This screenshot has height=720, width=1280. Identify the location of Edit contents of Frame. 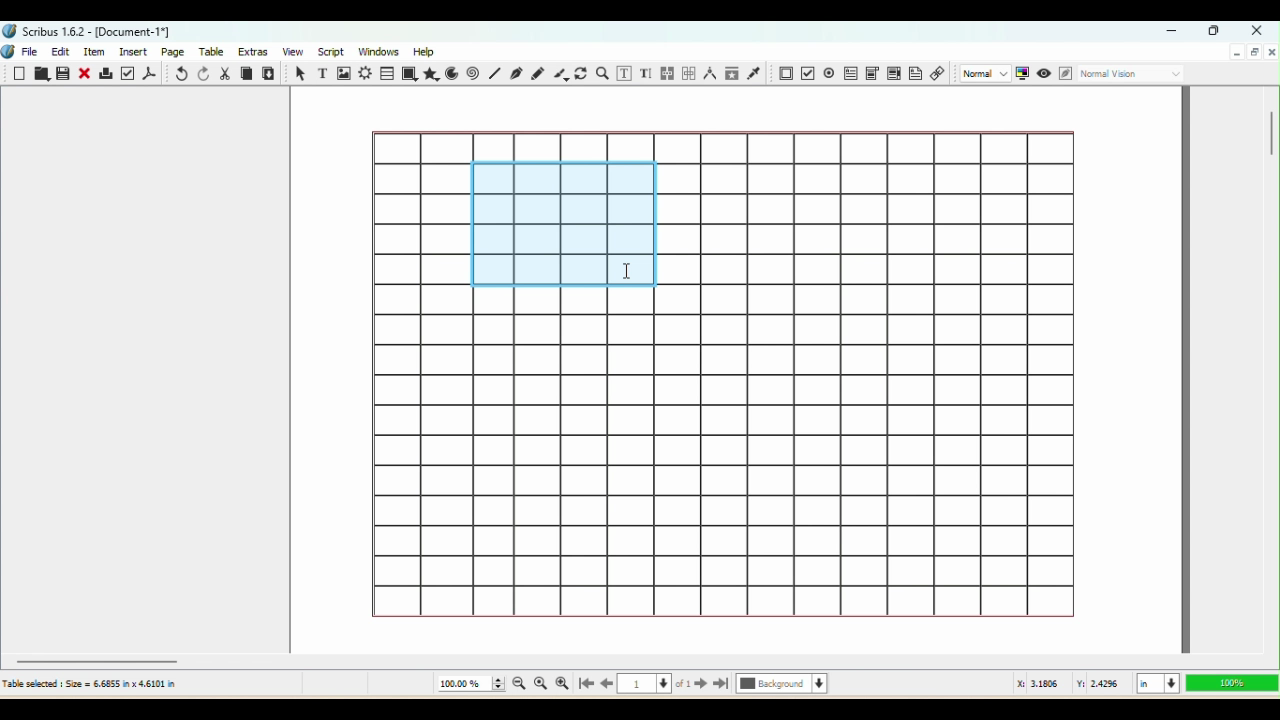
(626, 74).